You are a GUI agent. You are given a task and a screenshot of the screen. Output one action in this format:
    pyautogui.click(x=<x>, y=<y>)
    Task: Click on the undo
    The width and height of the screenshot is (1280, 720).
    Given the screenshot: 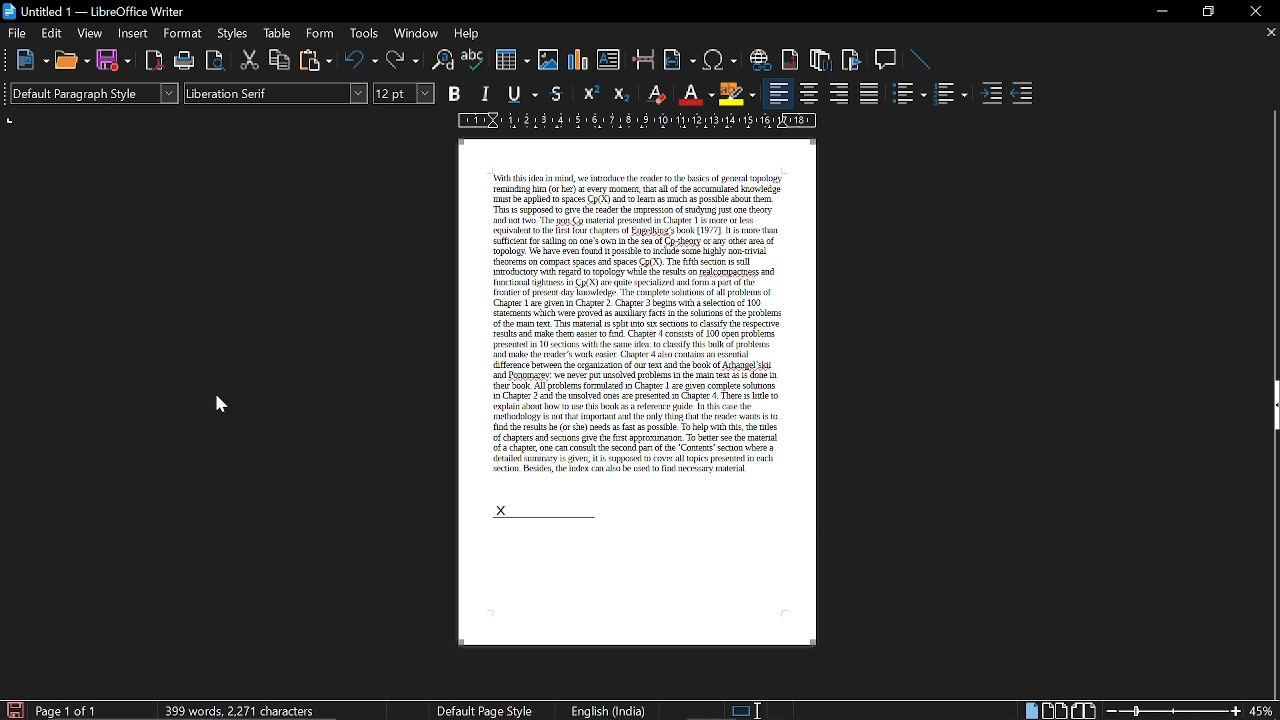 What is the action you would take?
    pyautogui.click(x=362, y=59)
    